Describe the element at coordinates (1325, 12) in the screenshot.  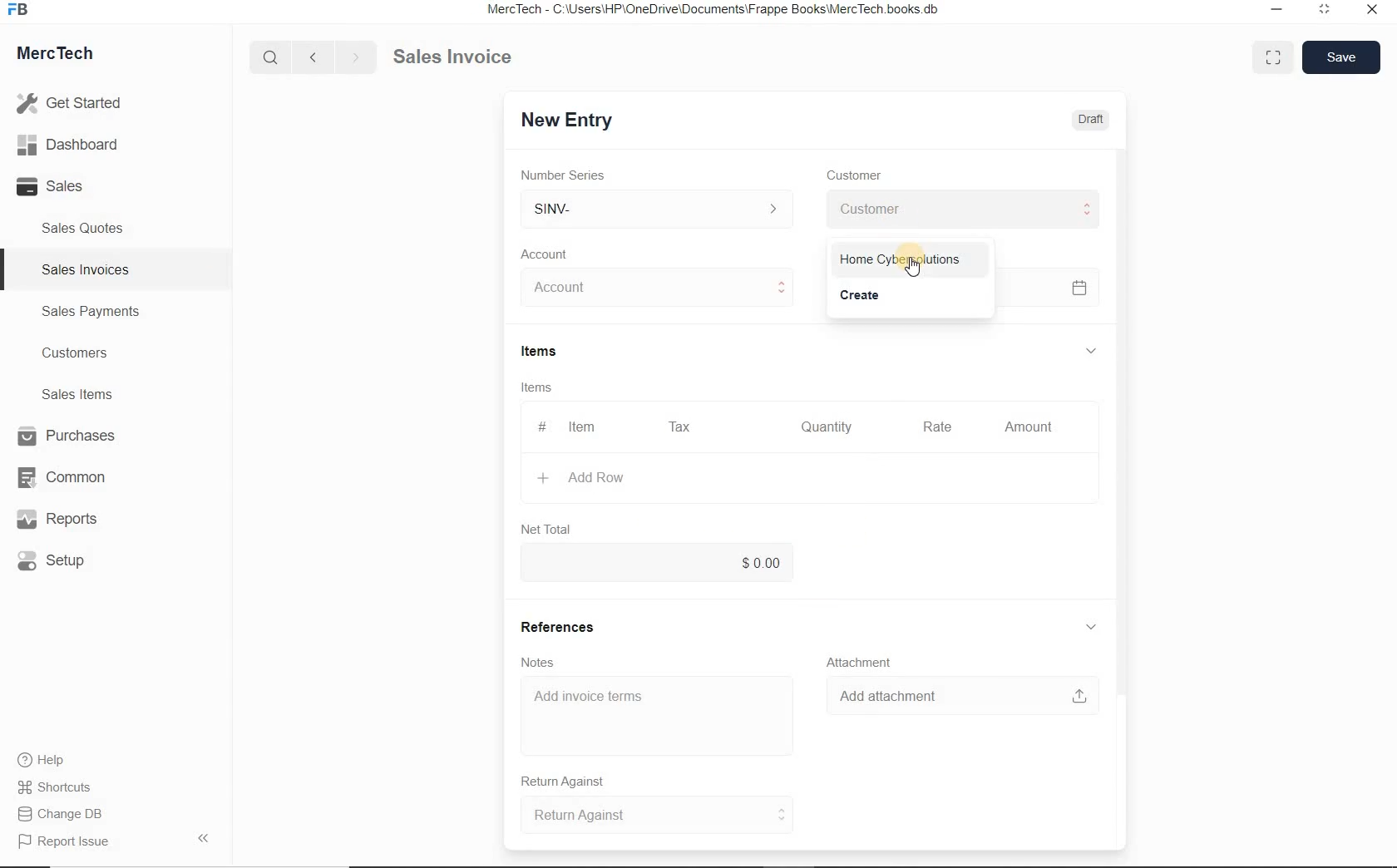
I see `Maximum` at that location.